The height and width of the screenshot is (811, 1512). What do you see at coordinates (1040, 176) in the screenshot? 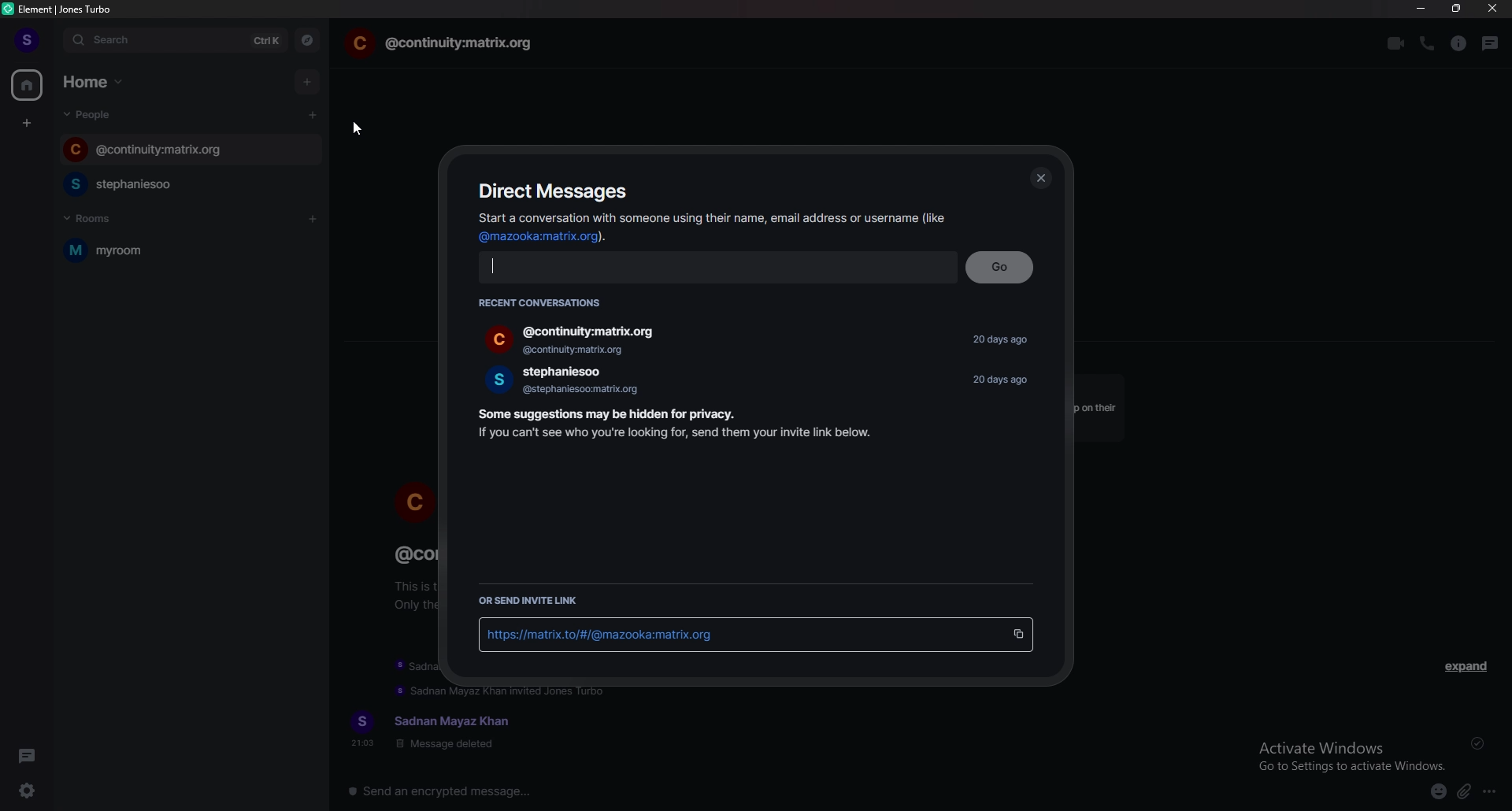
I see `close` at bounding box center [1040, 176].